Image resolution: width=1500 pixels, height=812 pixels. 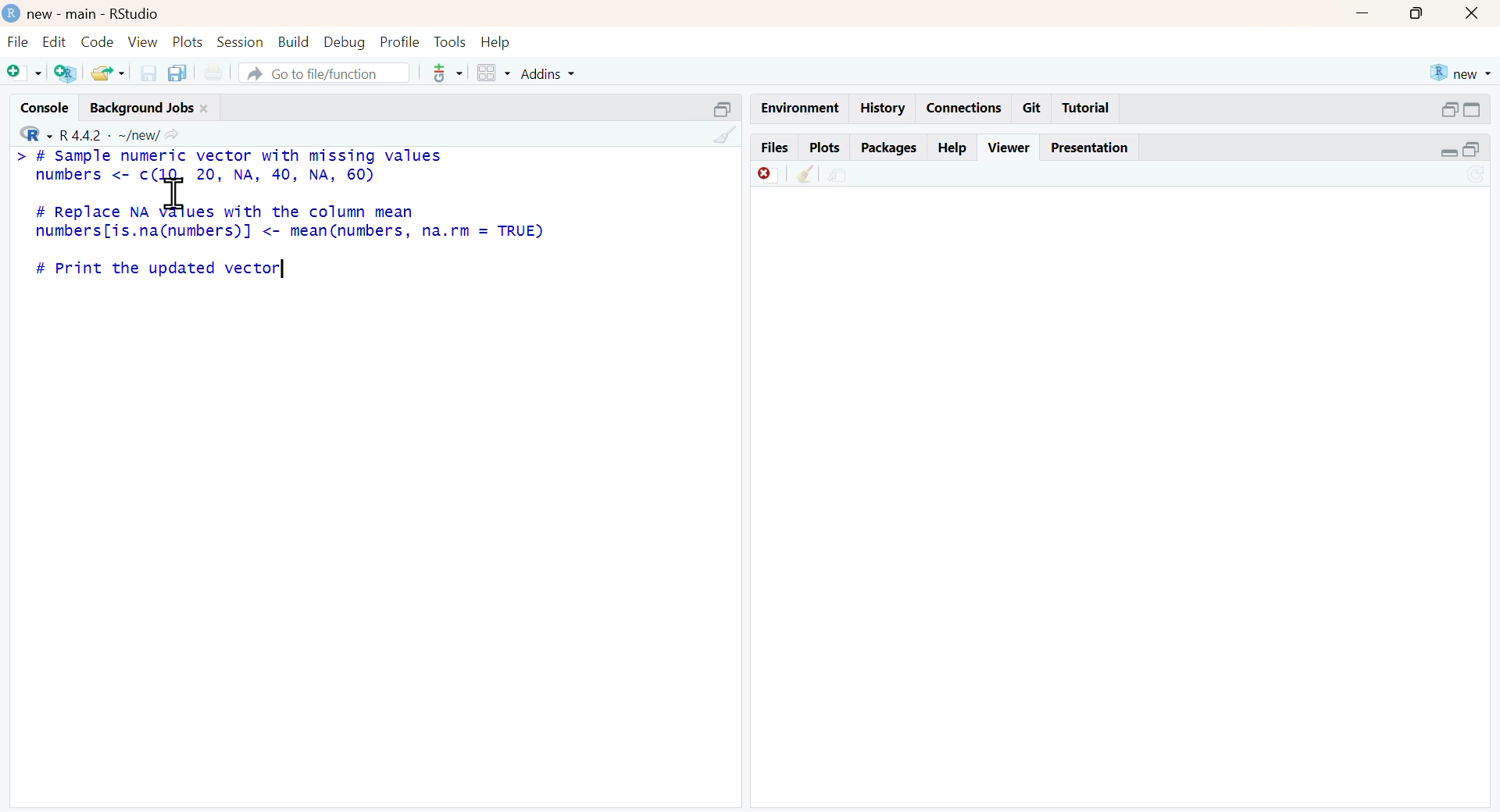 What do you see at coordinates (495, 72) in the screenshot?
I see `grid` at bounding box center [495, 72].